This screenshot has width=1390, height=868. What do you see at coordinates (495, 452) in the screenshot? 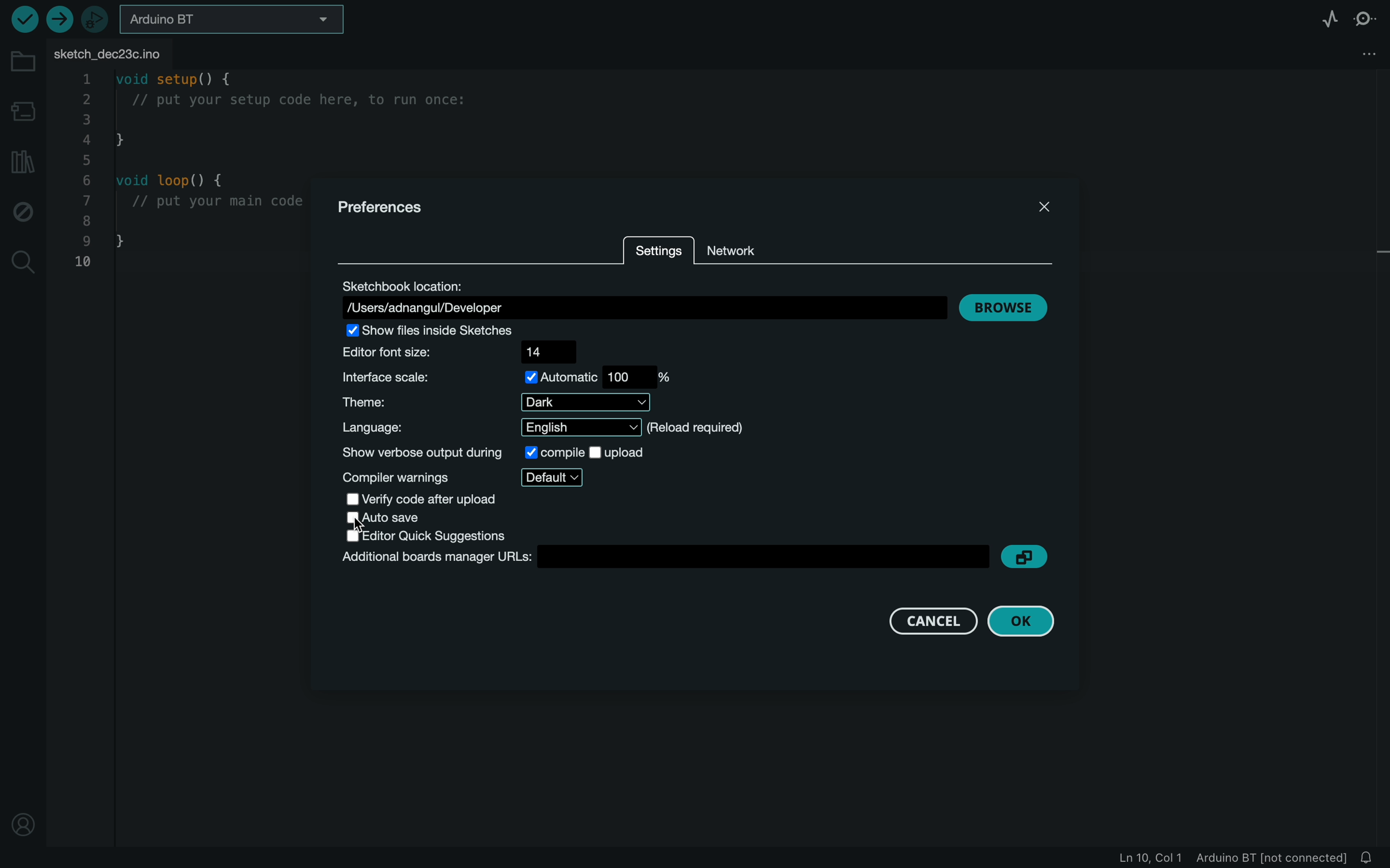
I see `show verbose` at bounding box center [495, 452].